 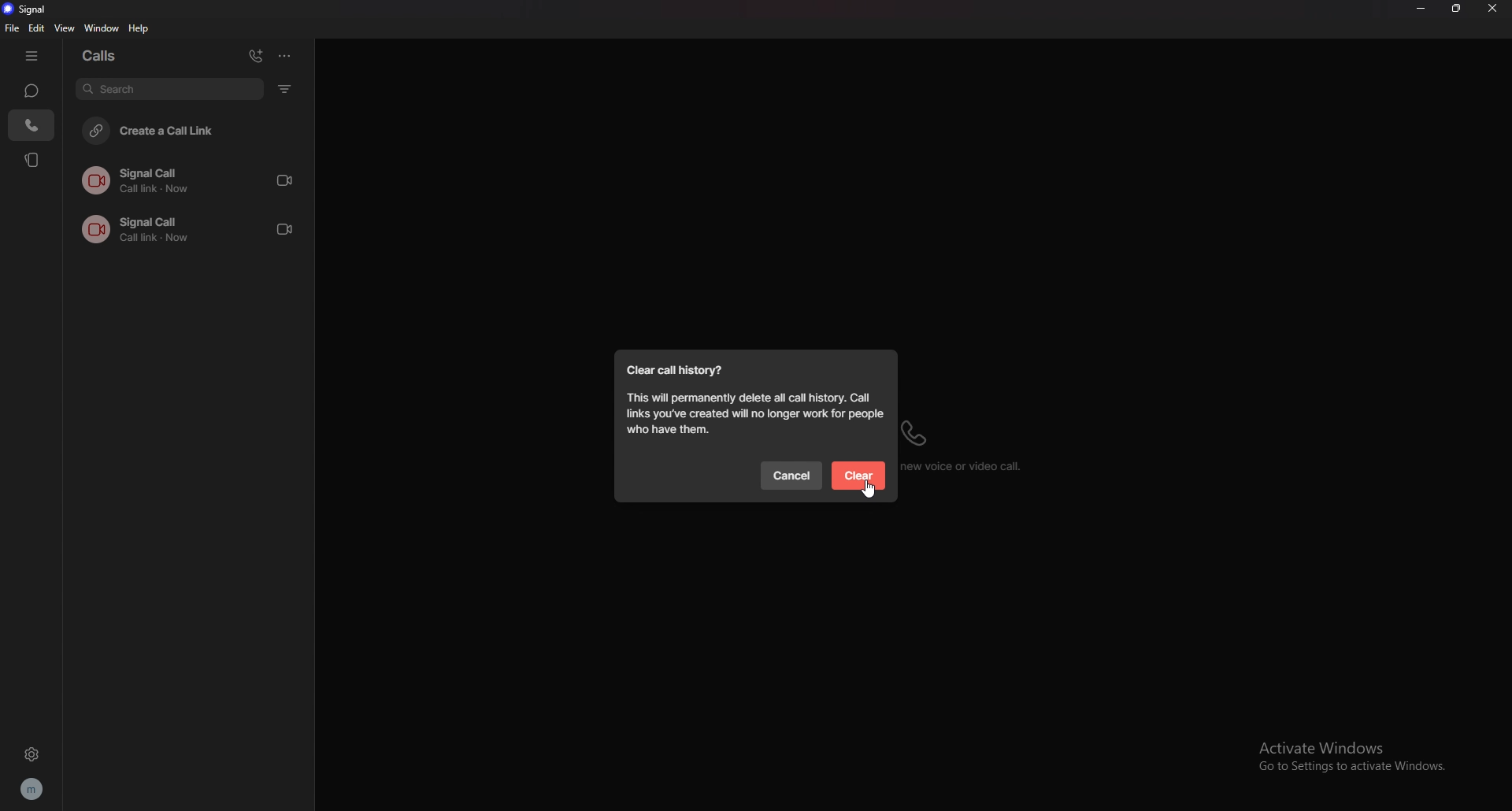 What do you see at coordinates (193, 180) in the screenshot?
I see `call` at bounding box center [193, 180].